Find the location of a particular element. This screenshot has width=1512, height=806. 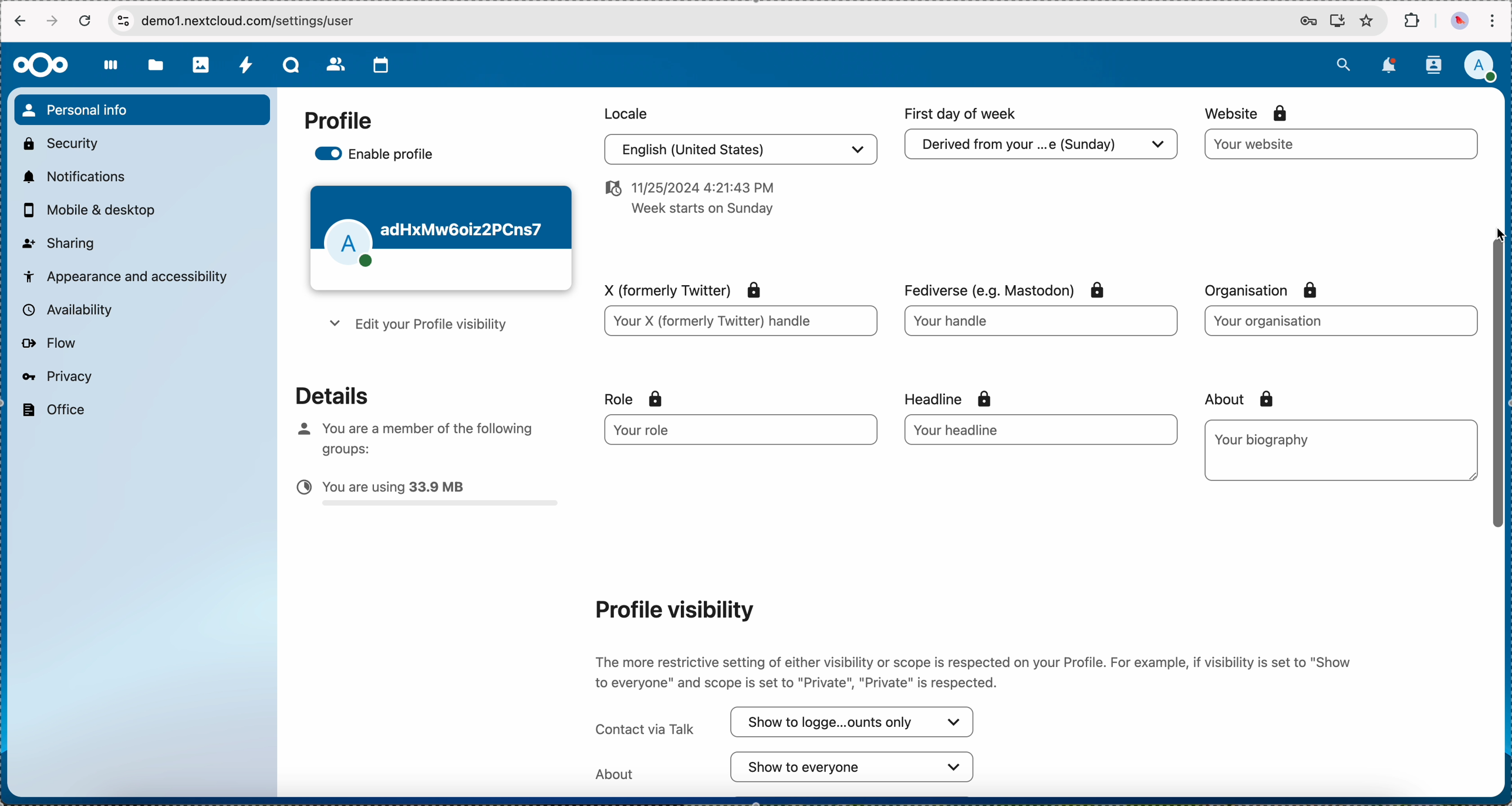

about is located at coordinates (786, 767).